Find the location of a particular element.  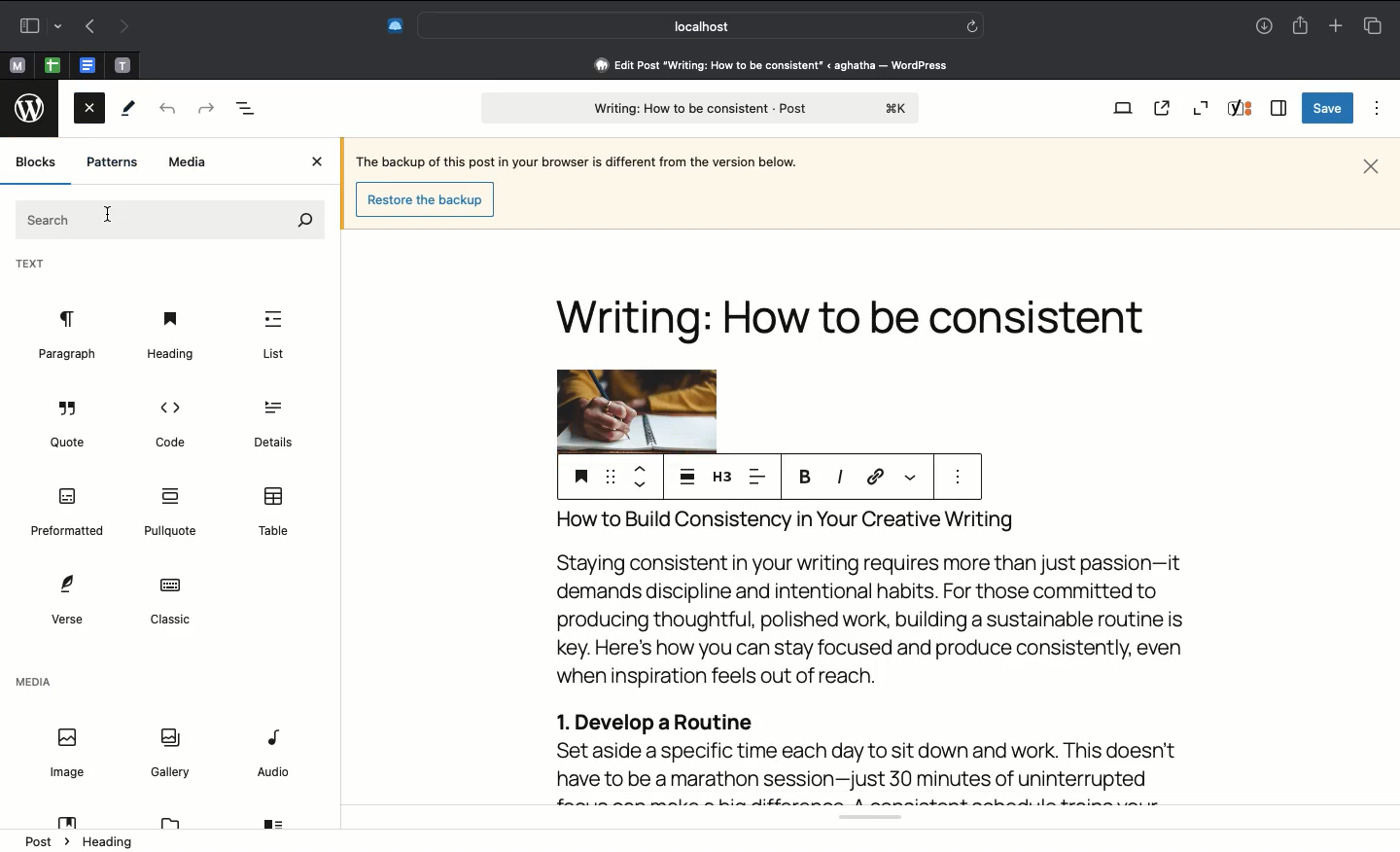

Yoast is located at coordinates (1242, 109).